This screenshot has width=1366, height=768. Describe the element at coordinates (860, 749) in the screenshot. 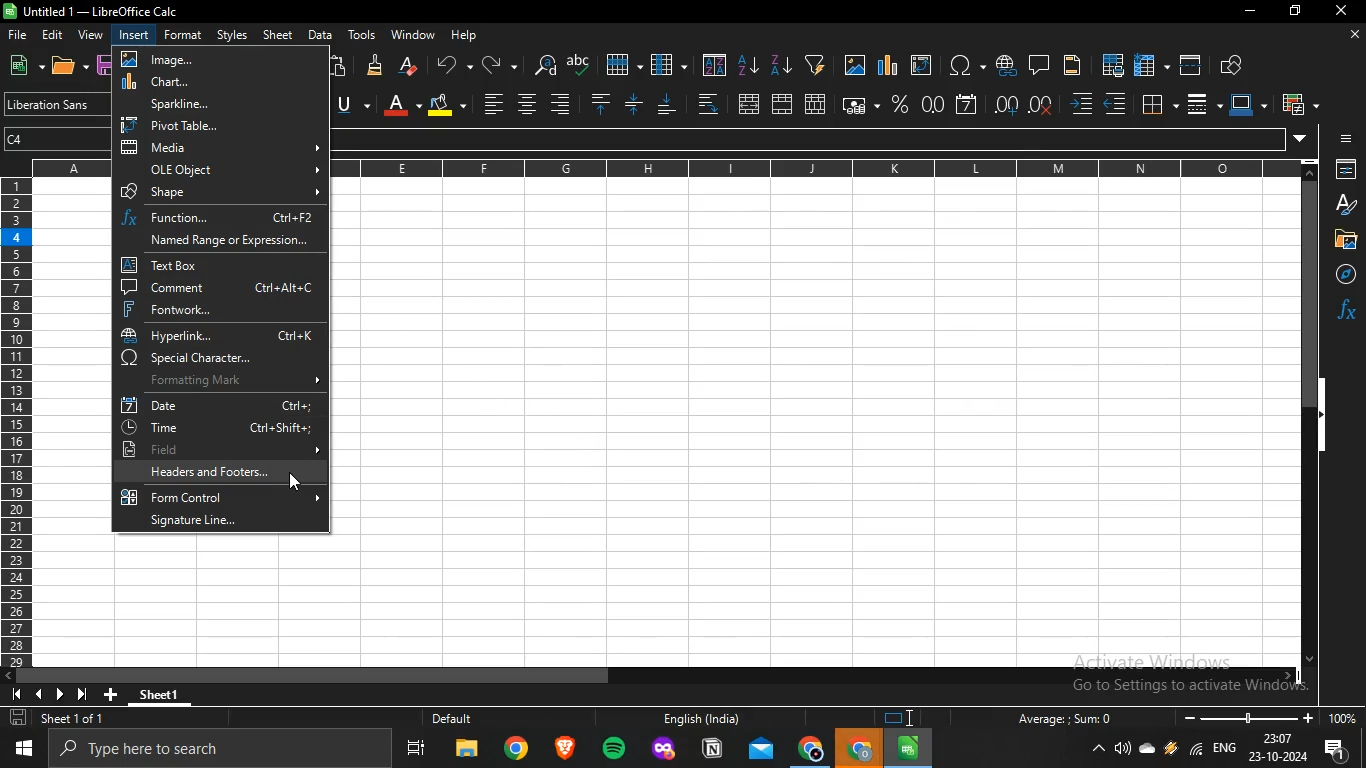

I see `google chrome` at that location.